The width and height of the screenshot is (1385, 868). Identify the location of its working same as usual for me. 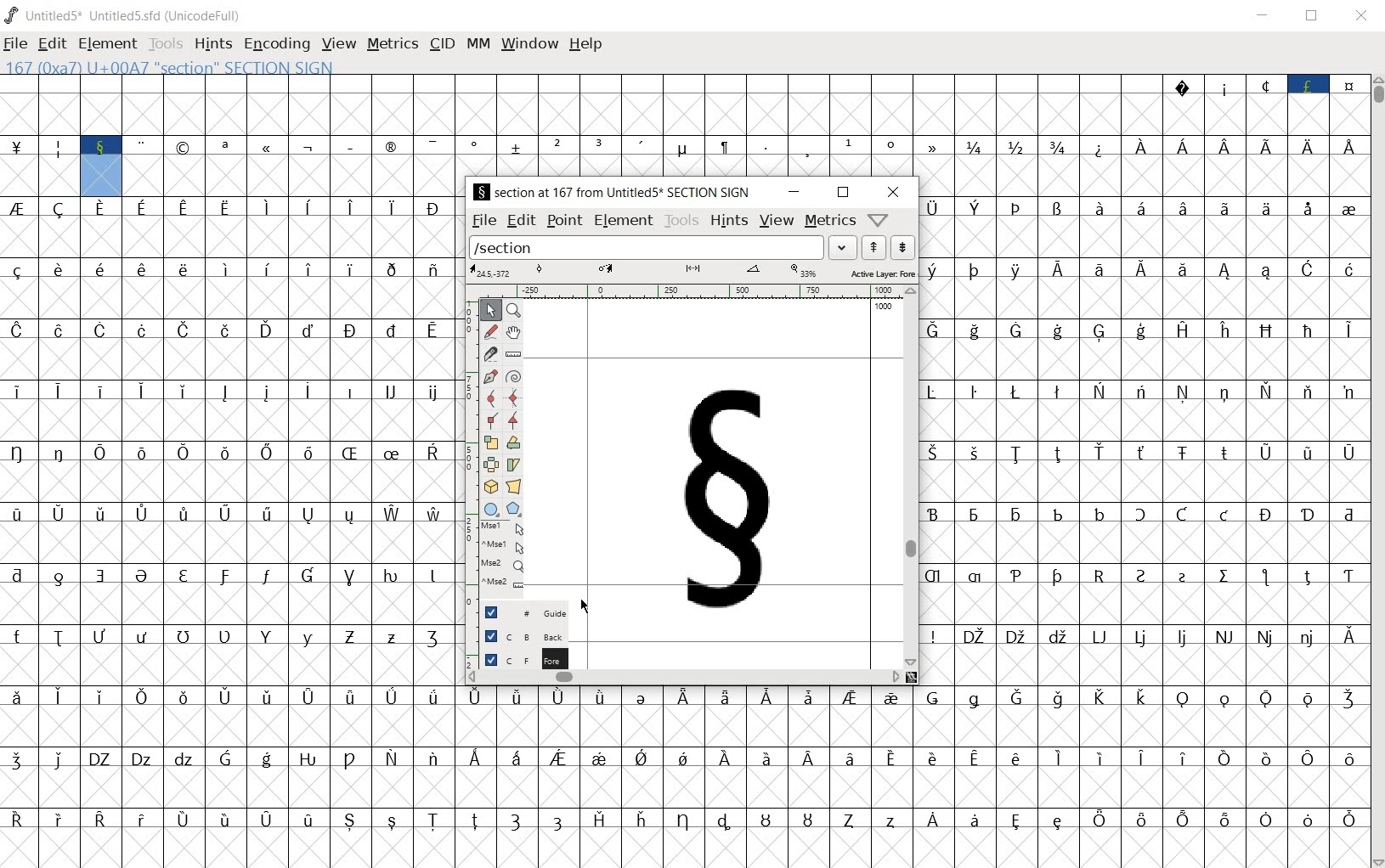
(1145, 481).